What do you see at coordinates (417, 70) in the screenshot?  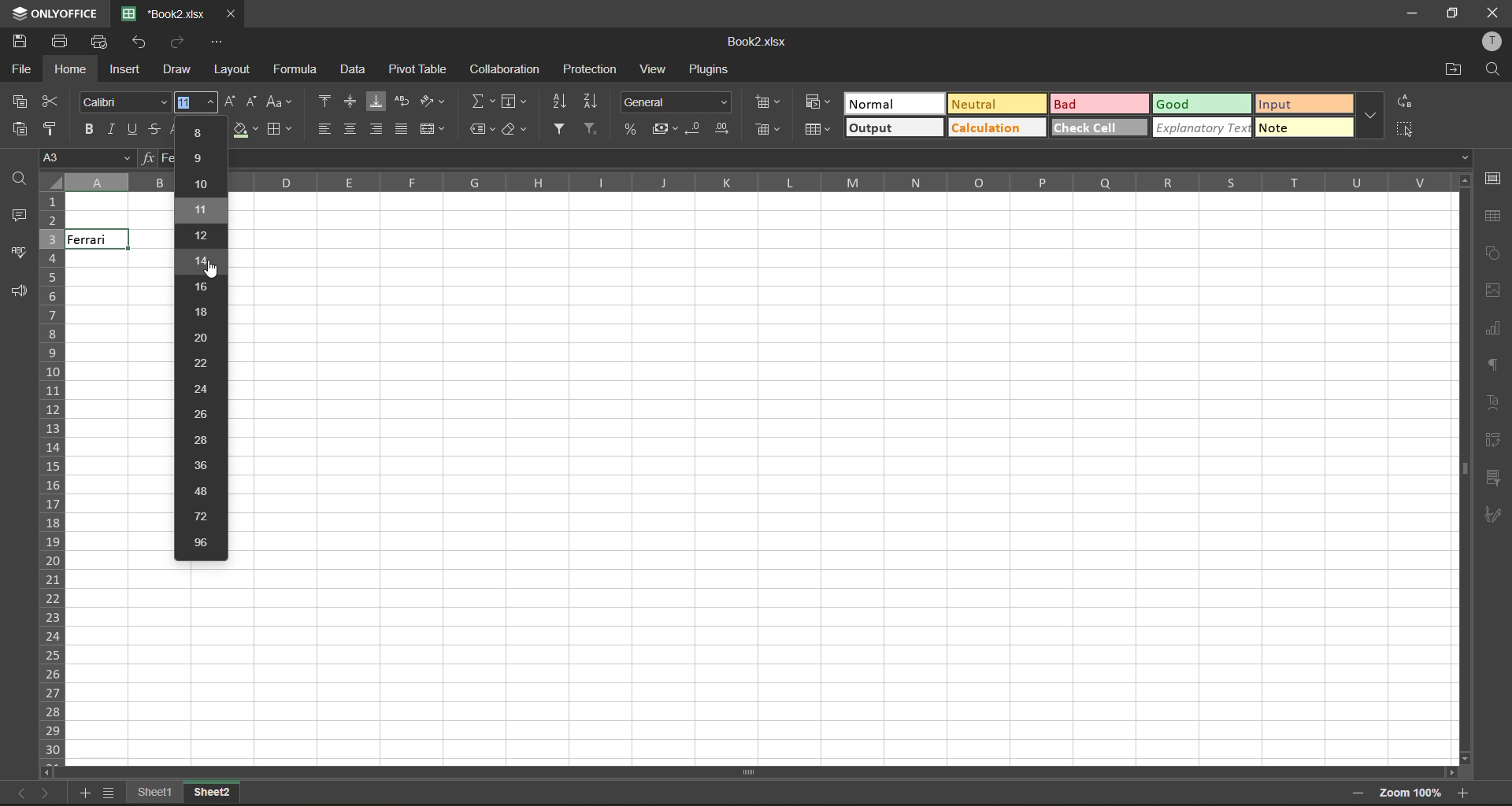 I see `pivot table` at bounding box center [417, 70].